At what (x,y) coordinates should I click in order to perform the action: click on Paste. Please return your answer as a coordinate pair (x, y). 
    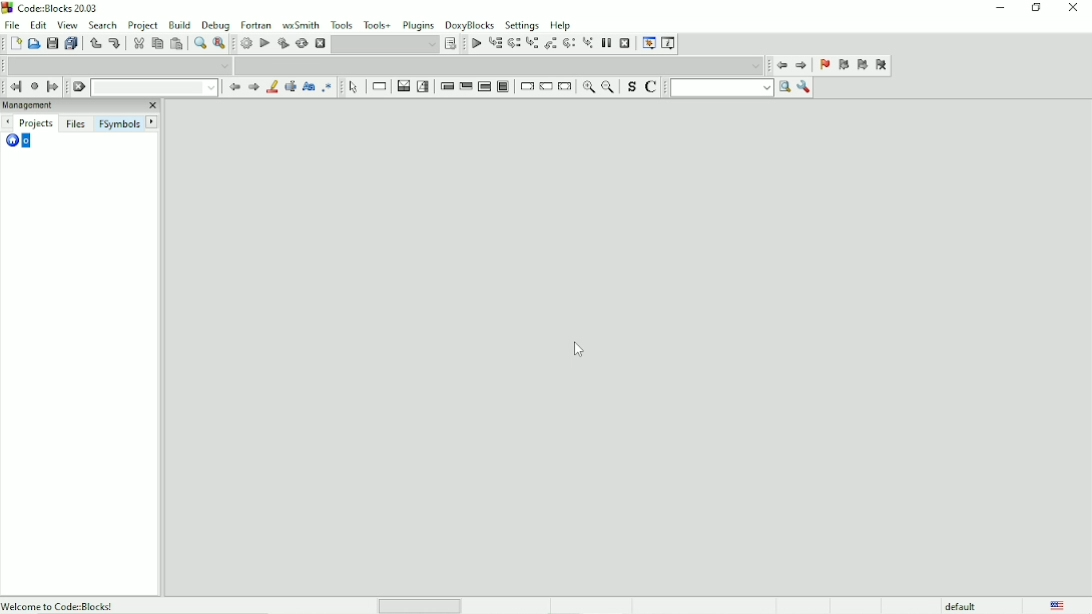
    Looking at the image, I should click on (176, 44).